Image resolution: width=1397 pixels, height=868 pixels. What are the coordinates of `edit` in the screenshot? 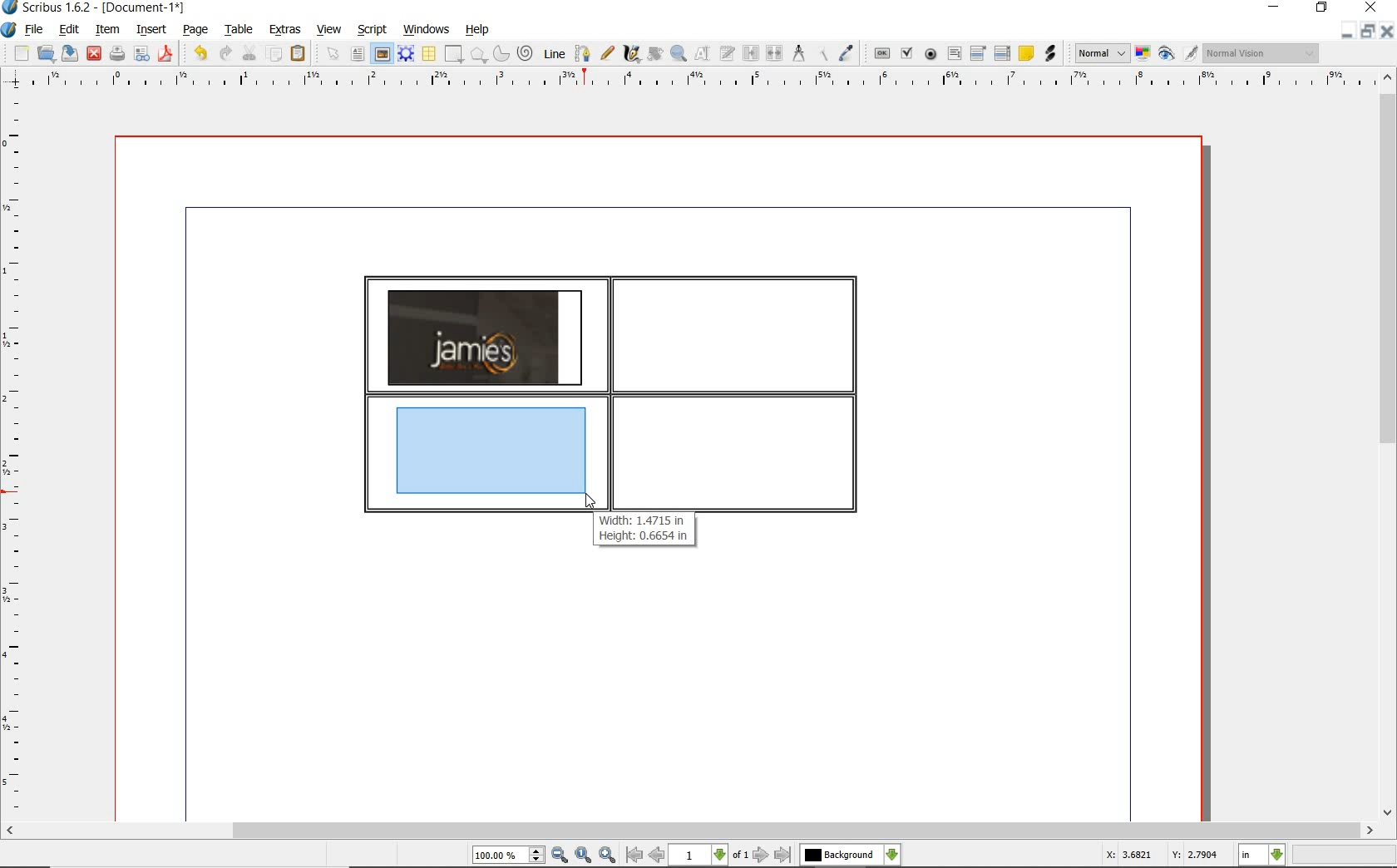 It's located at (67, 30).